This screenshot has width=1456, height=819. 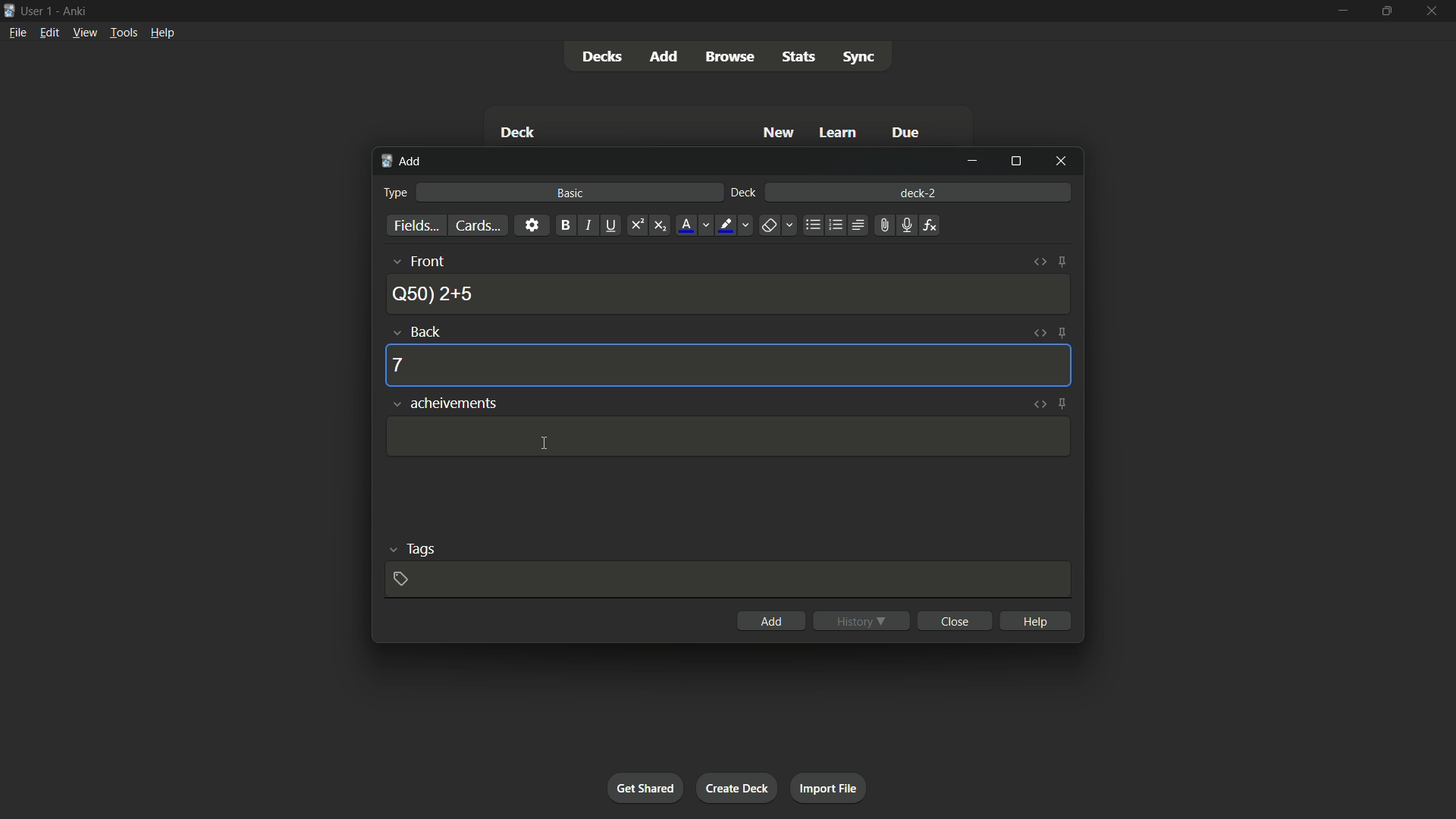 I want to click on basic, so click(x=572, y=193).